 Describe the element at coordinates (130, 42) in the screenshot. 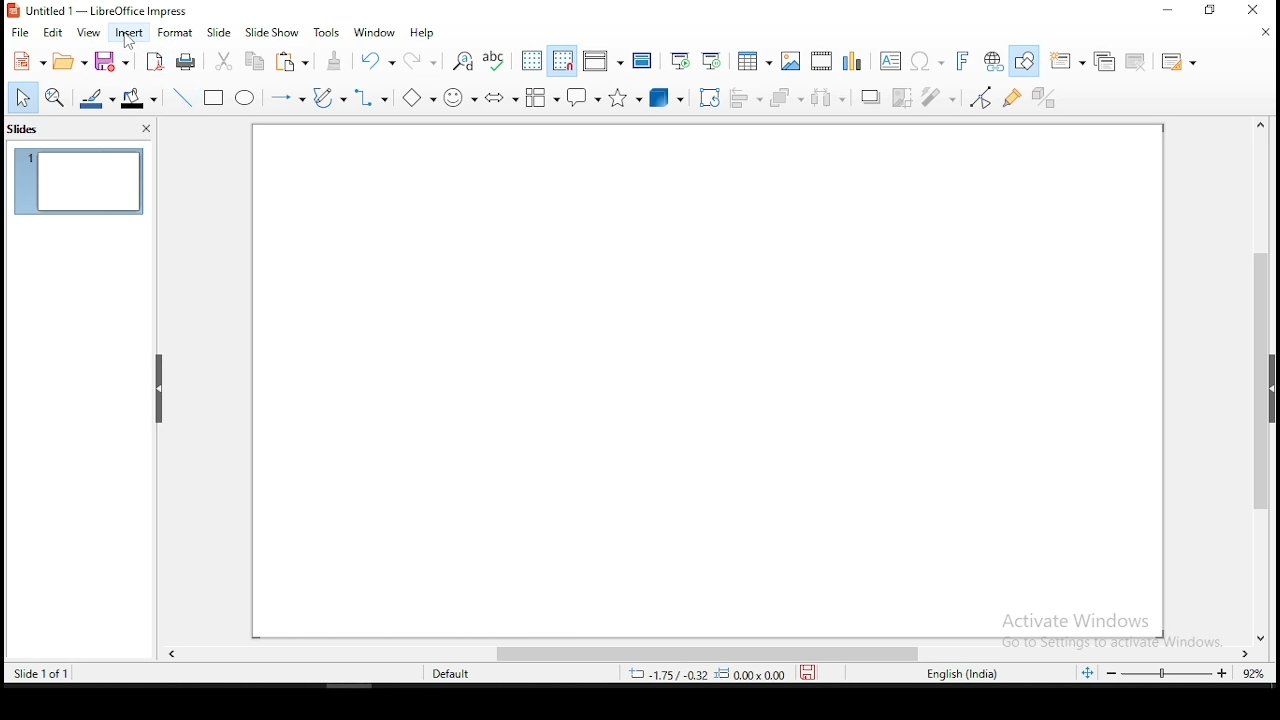

I see `cursor` at that location.